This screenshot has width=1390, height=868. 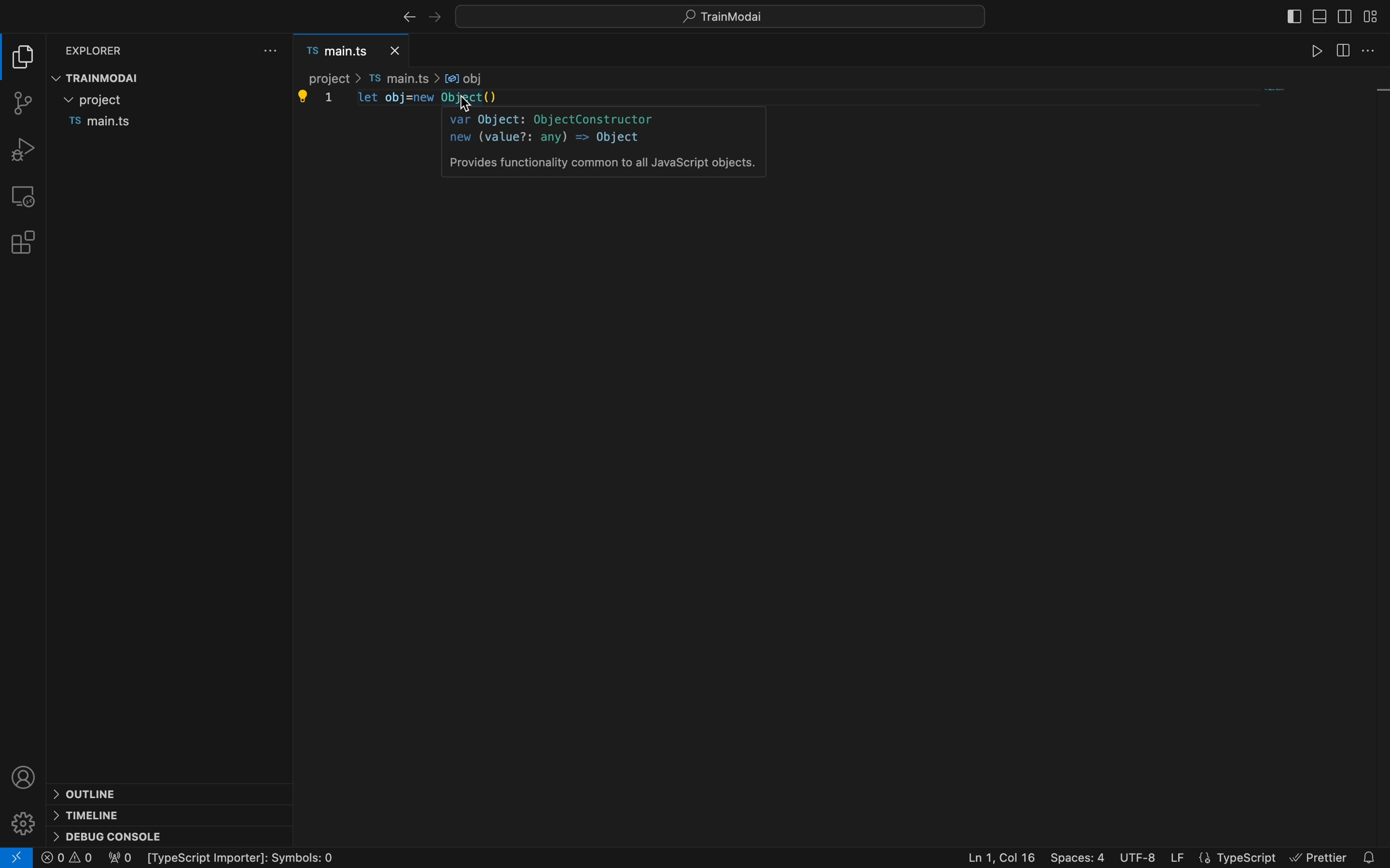 What do you see at coordinates (113, 835) in the screenshot?
I see `debug console` at bounding box center [113, 835].